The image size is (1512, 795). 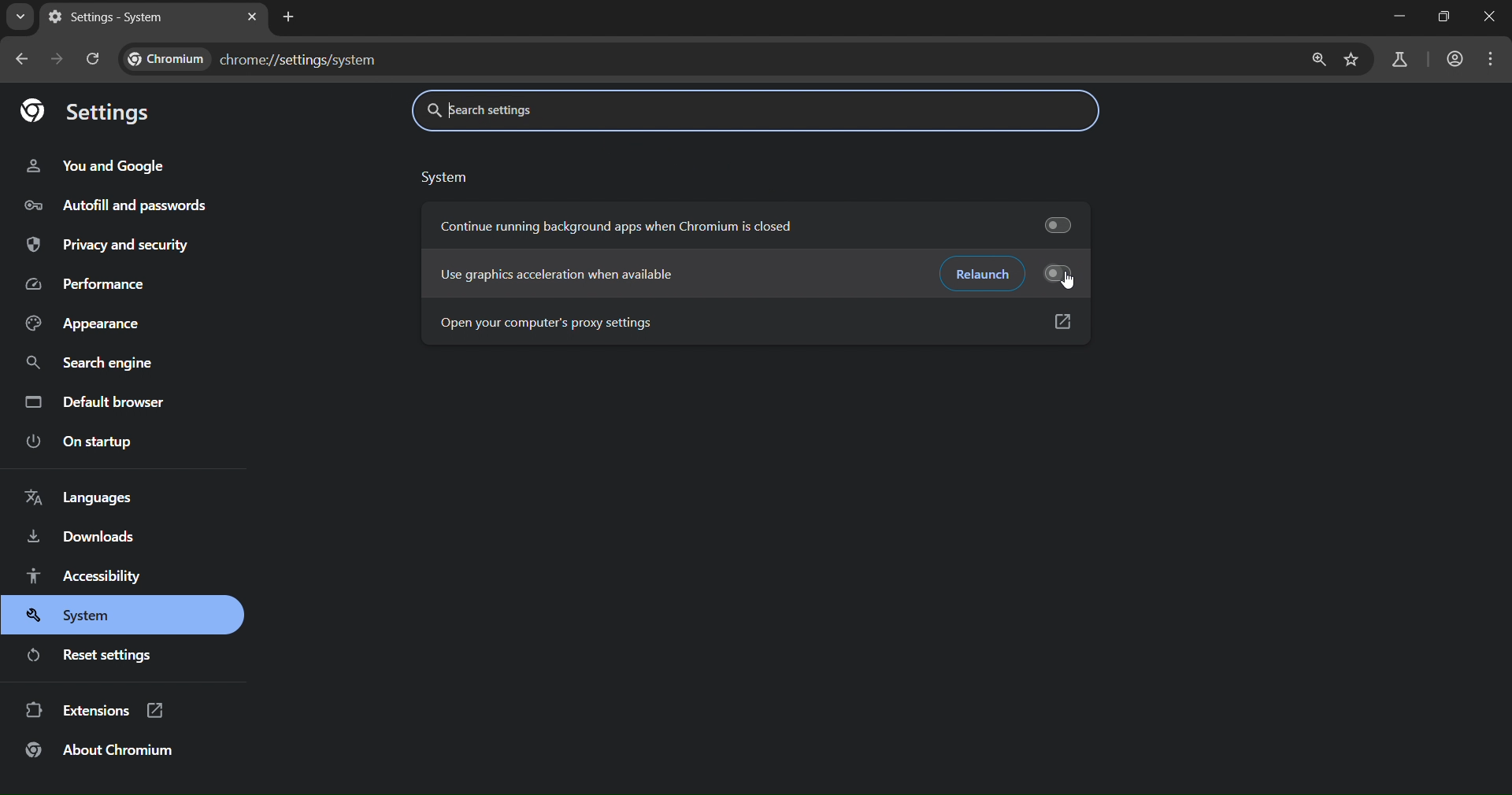 I want to click on accounts, so click(x=1457, y=59).